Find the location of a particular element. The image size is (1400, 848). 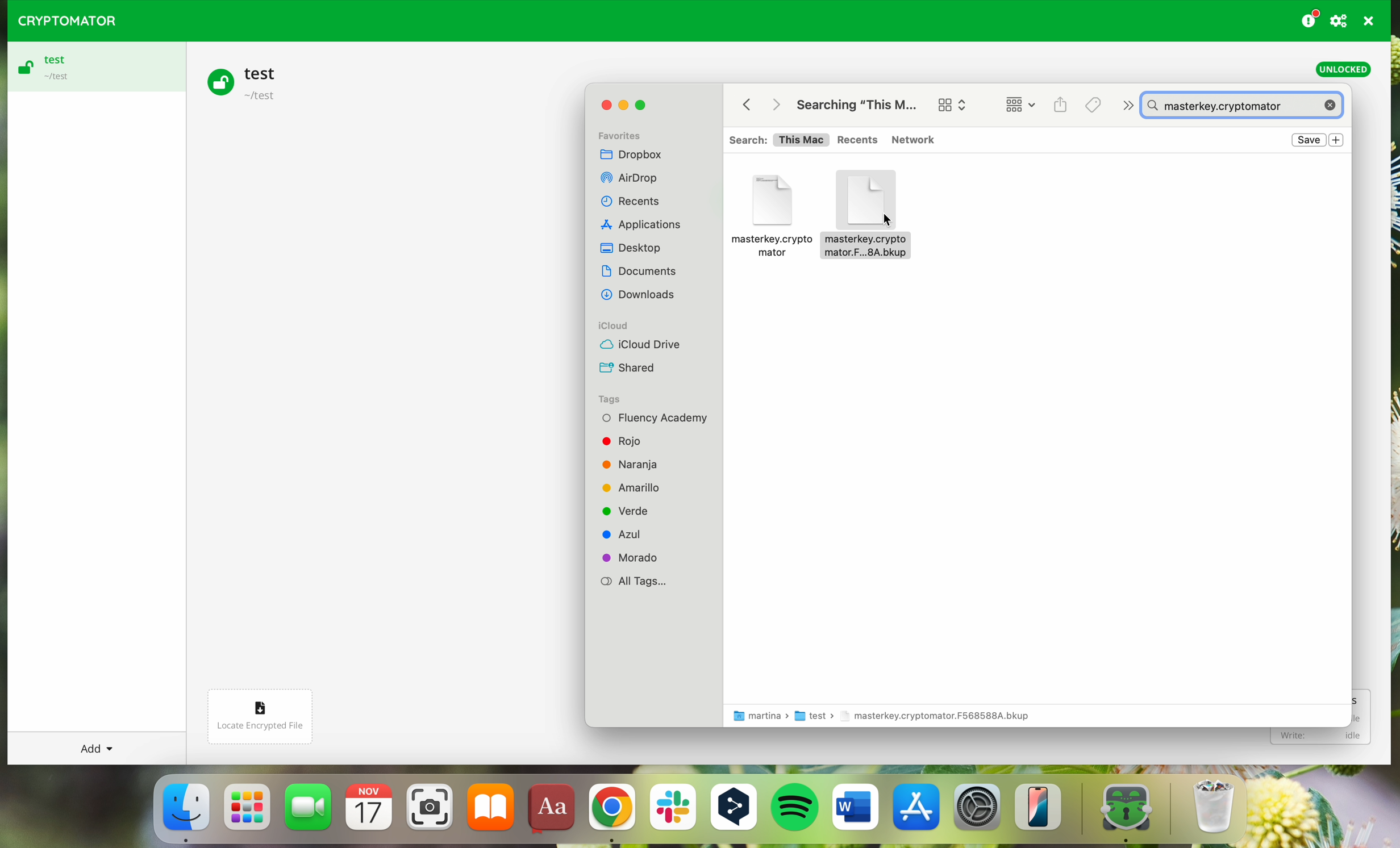

Dekstop is located at coordinates (635, 248).